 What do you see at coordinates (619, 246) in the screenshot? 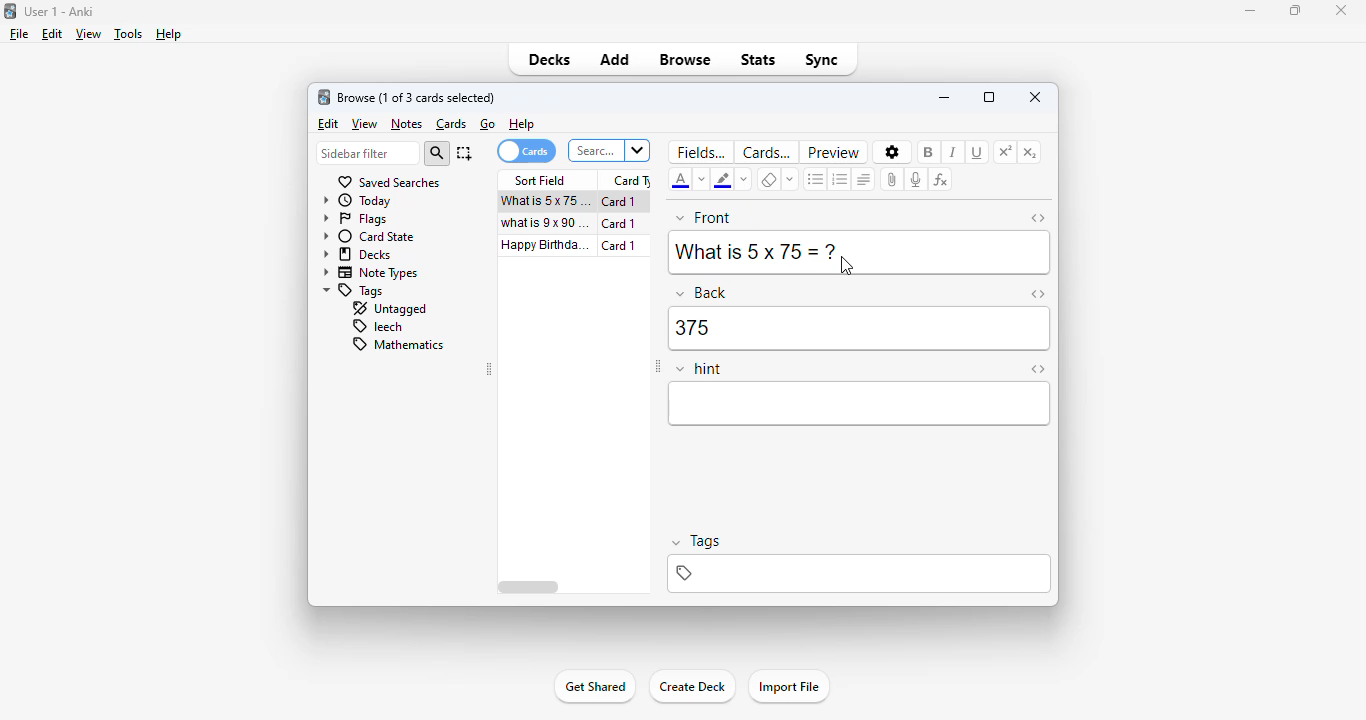
I see `card 1` at bounding box center [619, 246].